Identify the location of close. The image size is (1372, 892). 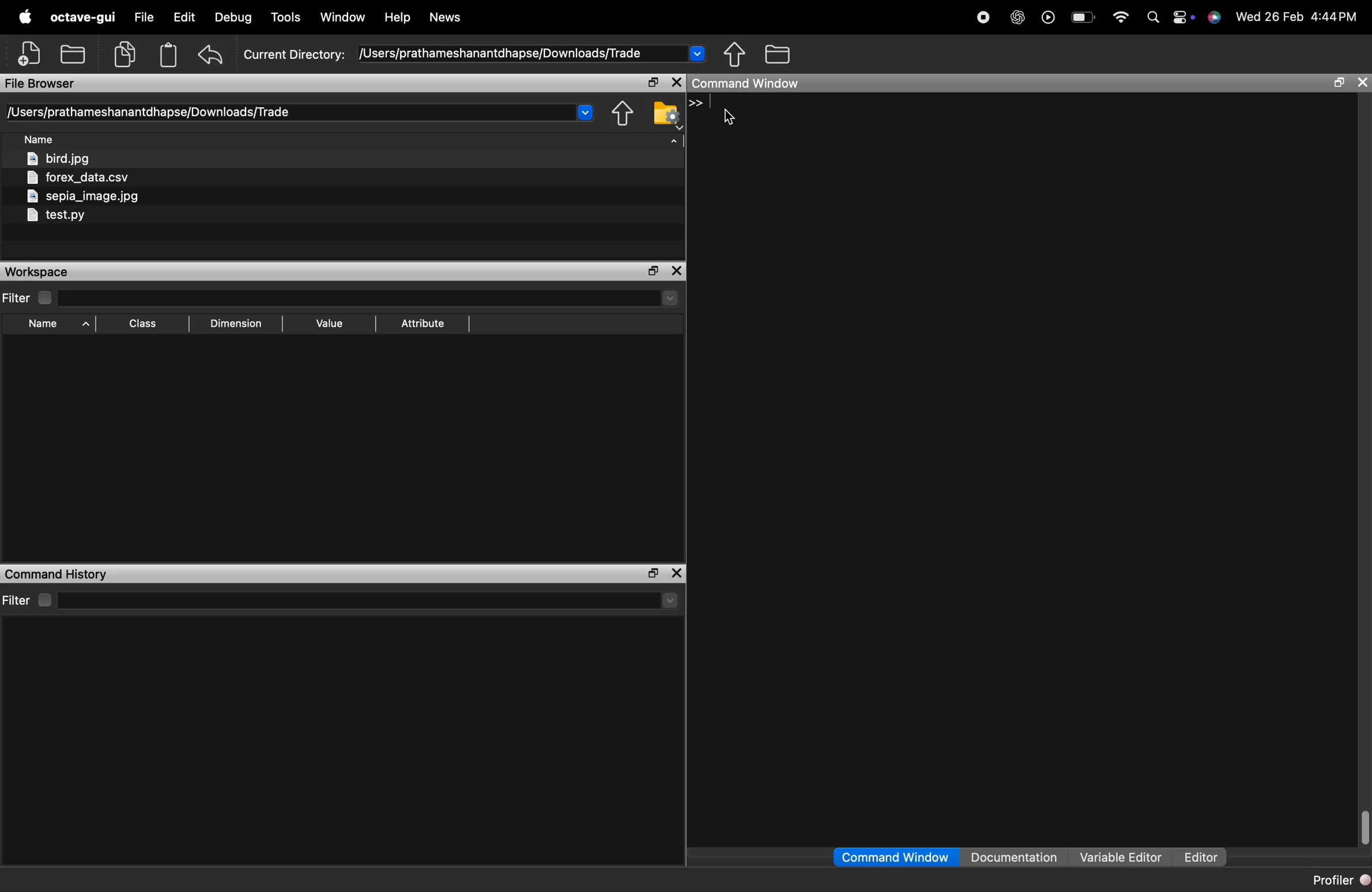
(676, 573).